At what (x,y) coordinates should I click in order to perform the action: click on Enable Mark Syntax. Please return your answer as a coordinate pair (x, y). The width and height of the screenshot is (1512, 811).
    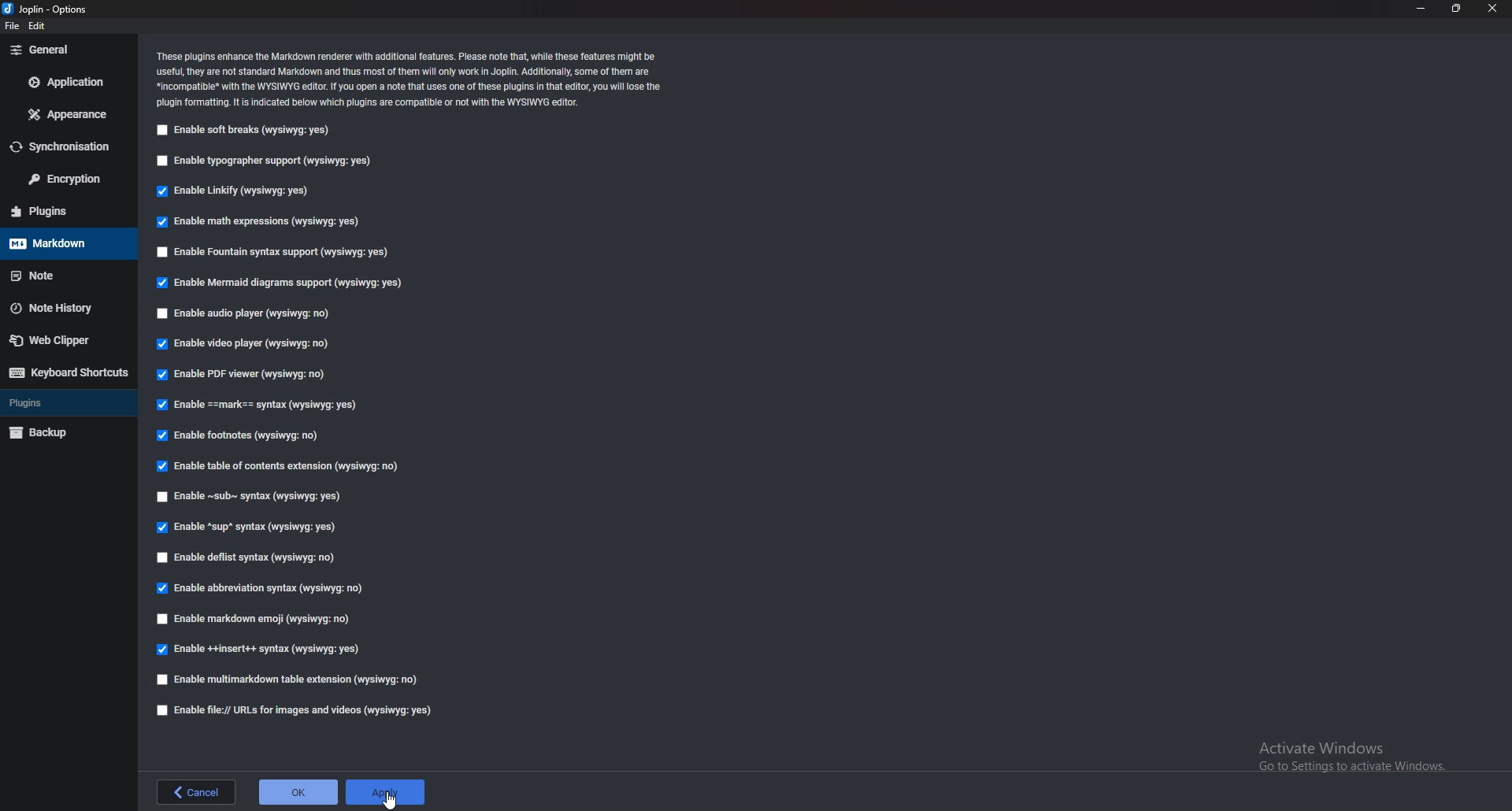
    Looking at the image, I should click on (267, 405).